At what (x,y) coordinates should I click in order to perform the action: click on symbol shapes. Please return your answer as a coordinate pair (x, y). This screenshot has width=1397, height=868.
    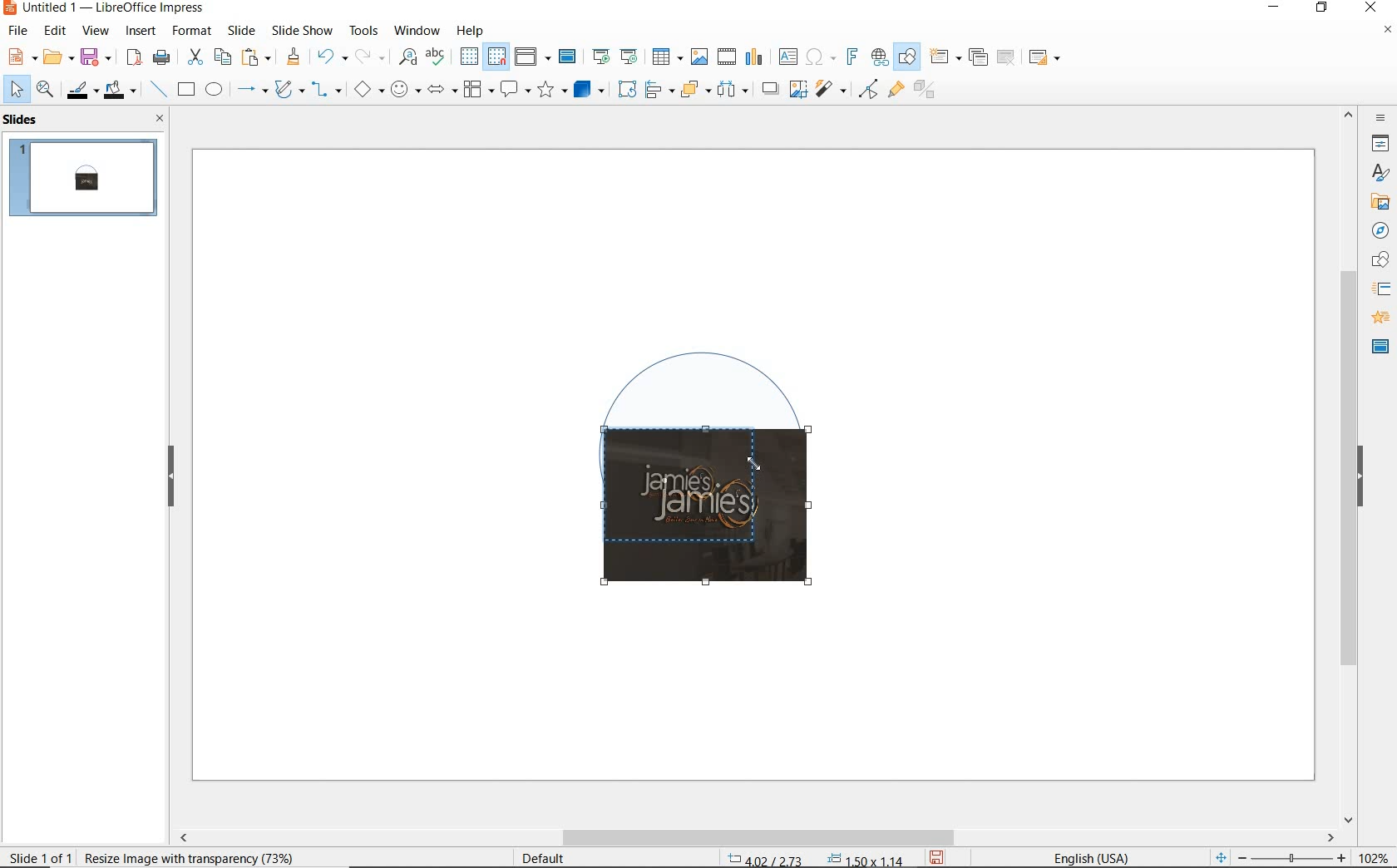
    Looking at the image, I should click on (405, 89).